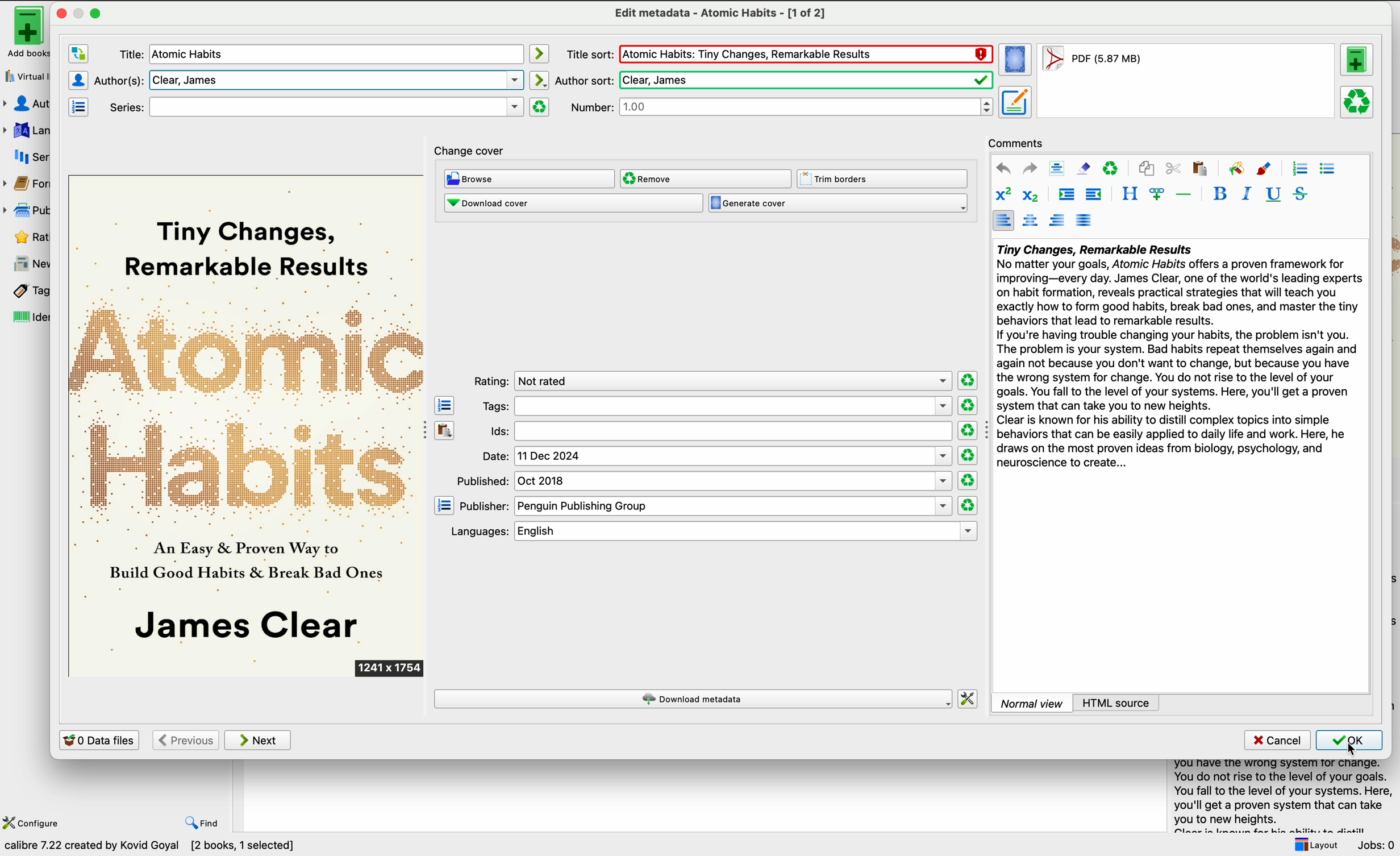 The height and width of the screenshot is (856, 1400). What do you see at coordinates (1173, 168) in the screenshot?
I see `cut` at bounding box center [1173, 168].